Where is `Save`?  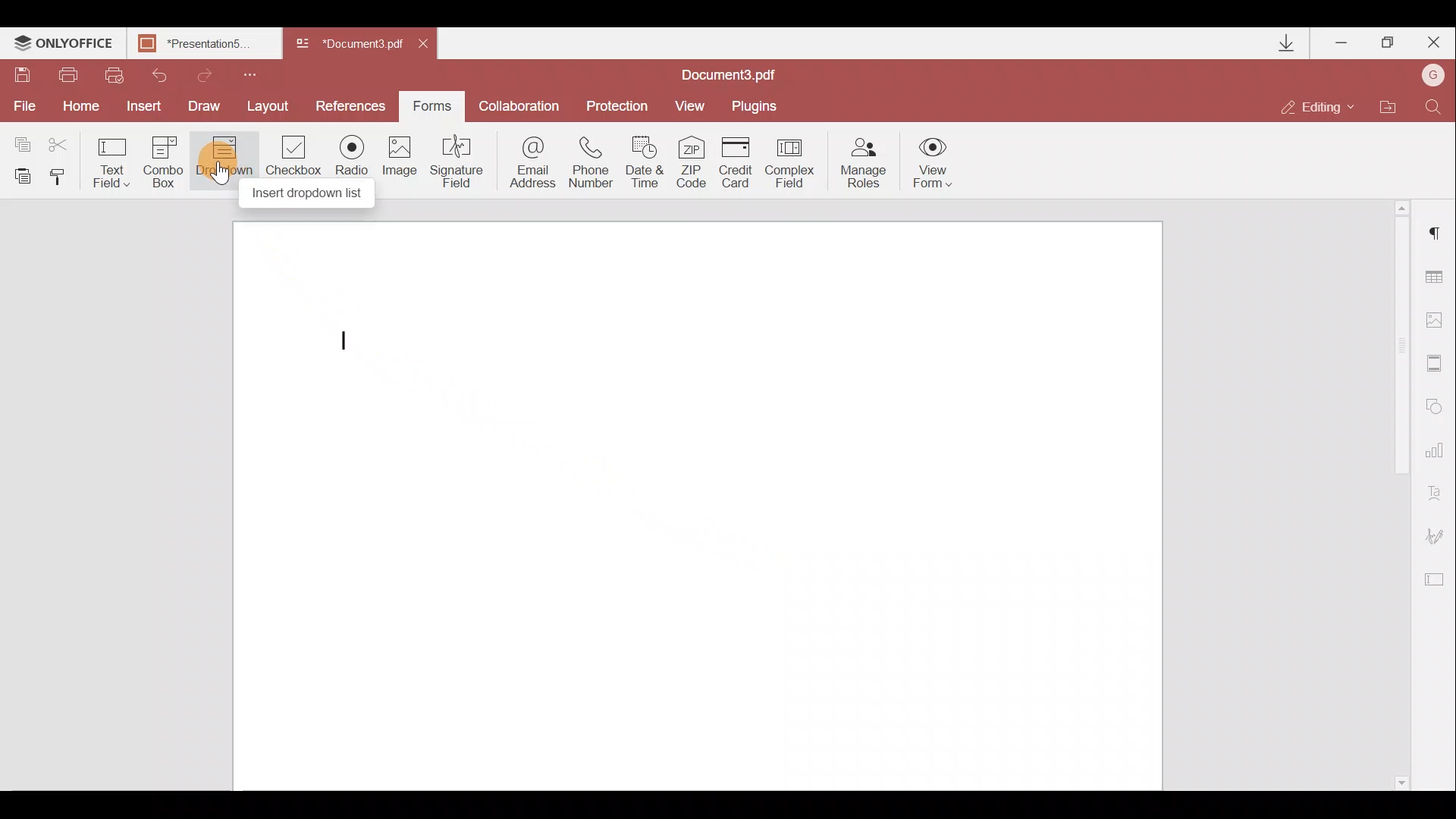
Save is located at coordinates (22, 75).